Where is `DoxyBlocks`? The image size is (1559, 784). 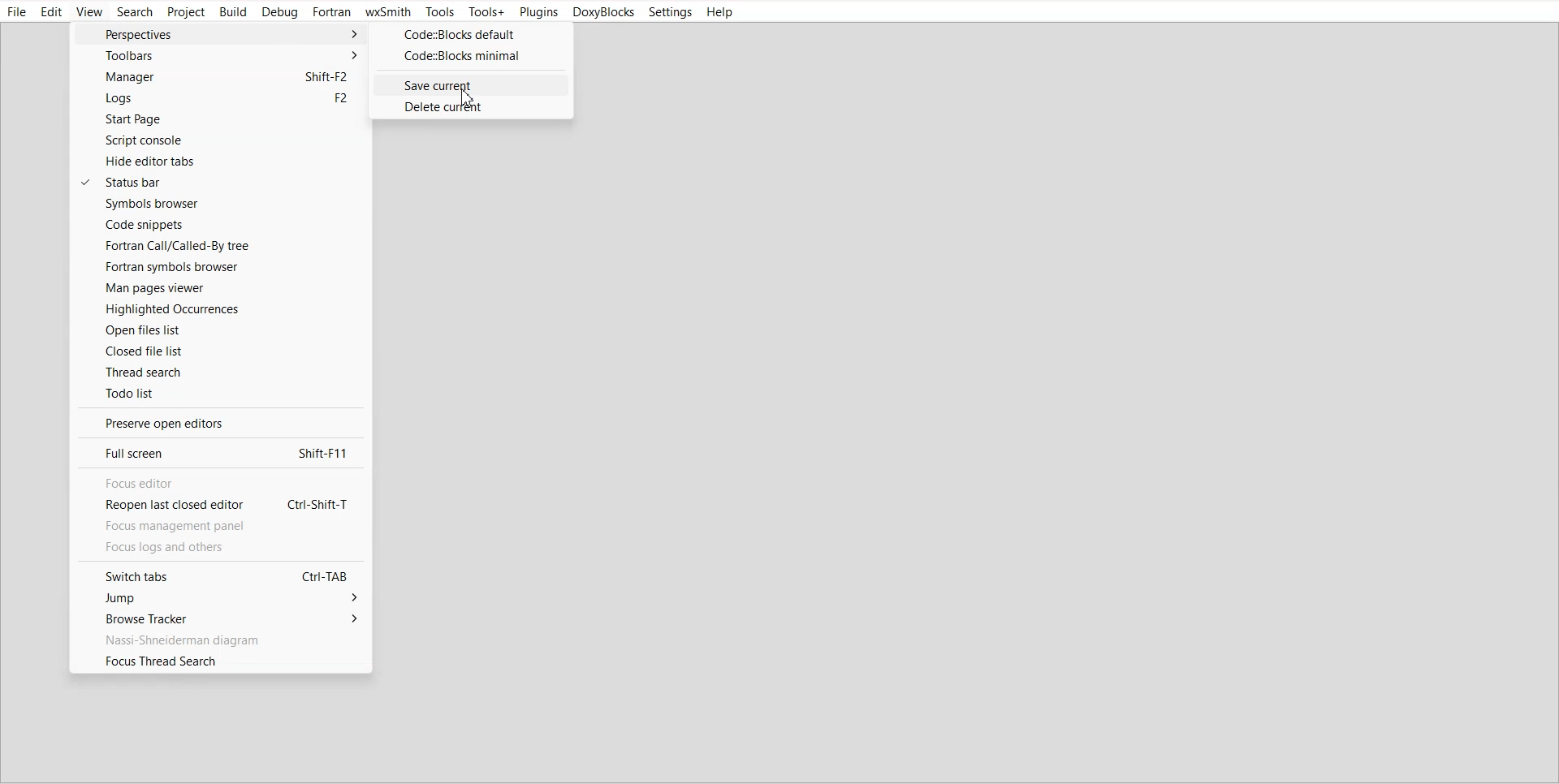
DoxyBlocks is located at coordinates (604, 13).